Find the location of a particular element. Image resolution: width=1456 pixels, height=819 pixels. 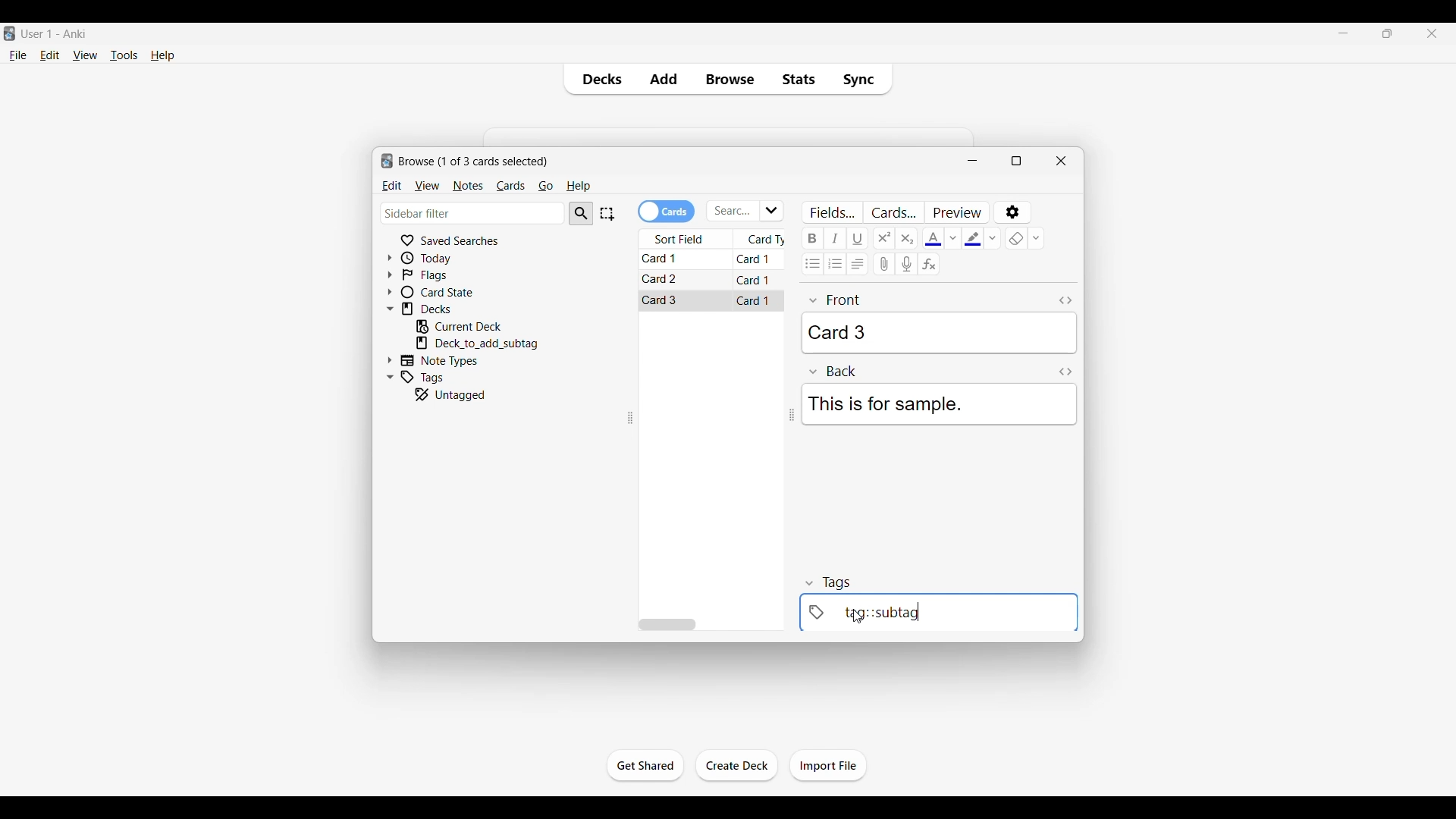

Card 1 is located at coordinates (666, 260).